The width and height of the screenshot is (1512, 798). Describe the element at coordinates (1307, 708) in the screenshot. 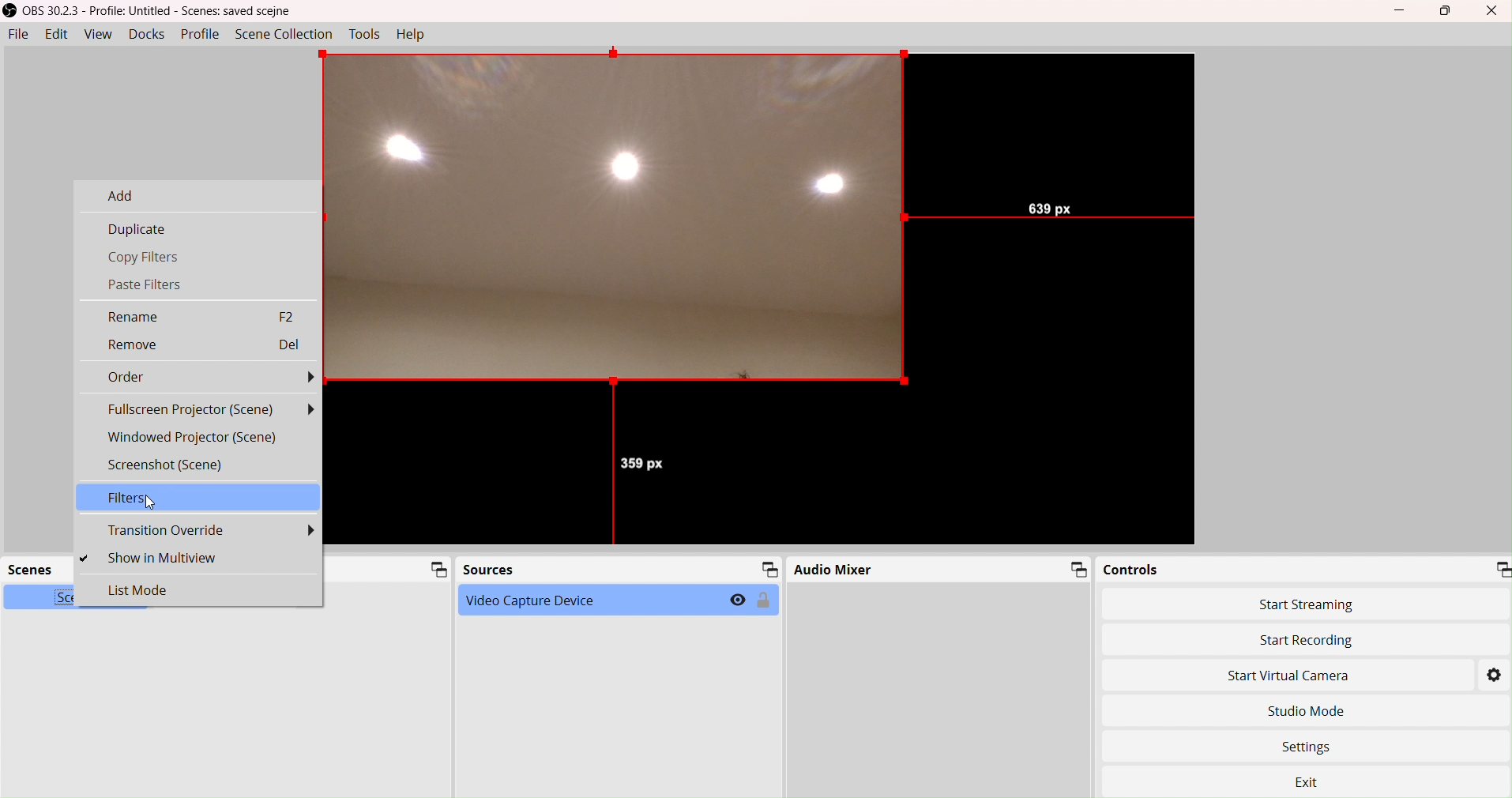

I see `Studio Move` at that location.